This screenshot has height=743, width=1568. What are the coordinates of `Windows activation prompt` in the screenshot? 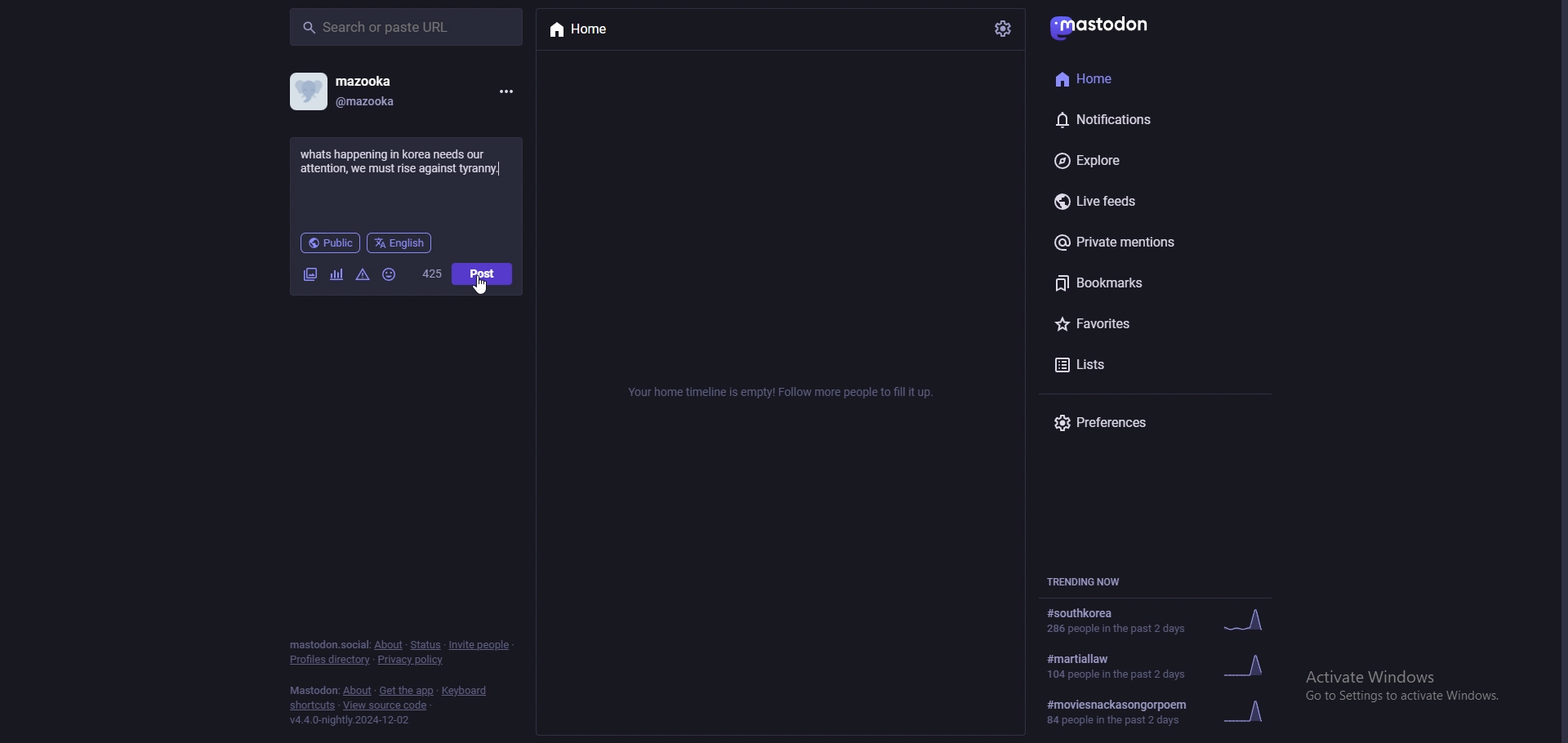 It's located at (1403, 683).